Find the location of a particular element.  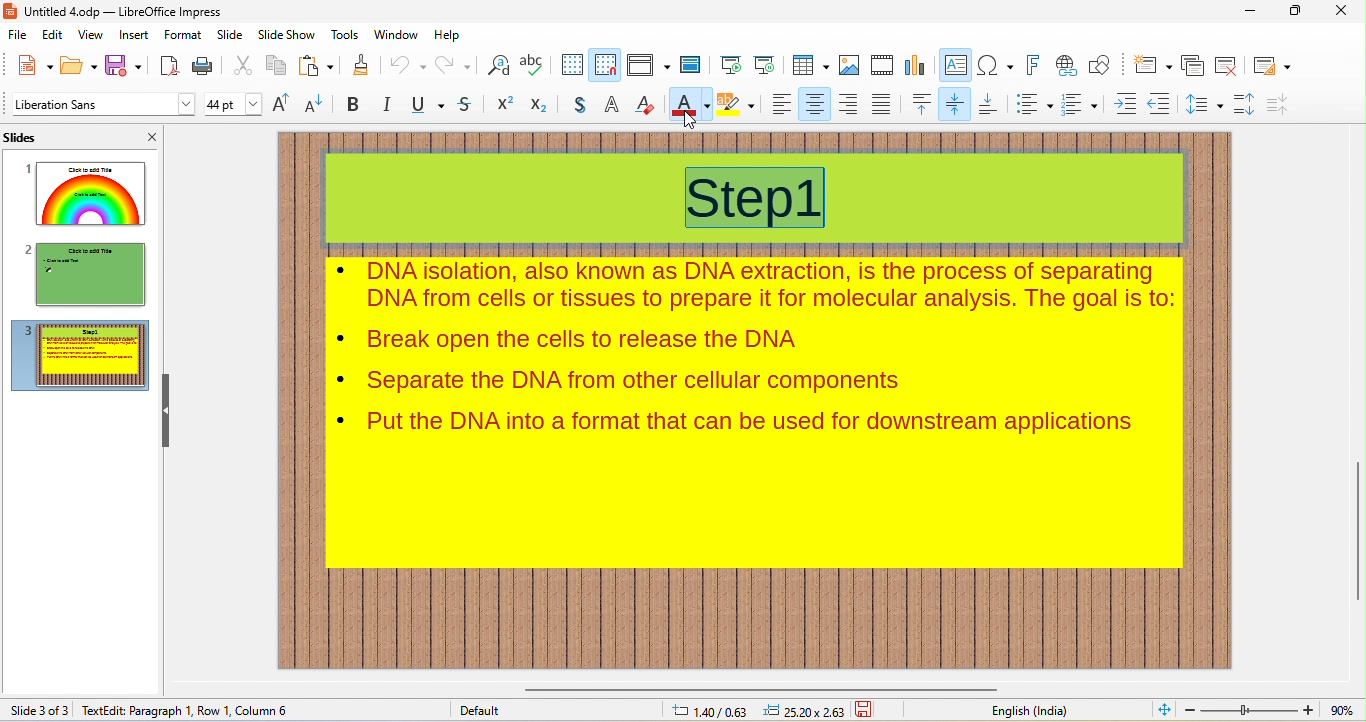

horizontal scroll is located at coordinates (782, 690).